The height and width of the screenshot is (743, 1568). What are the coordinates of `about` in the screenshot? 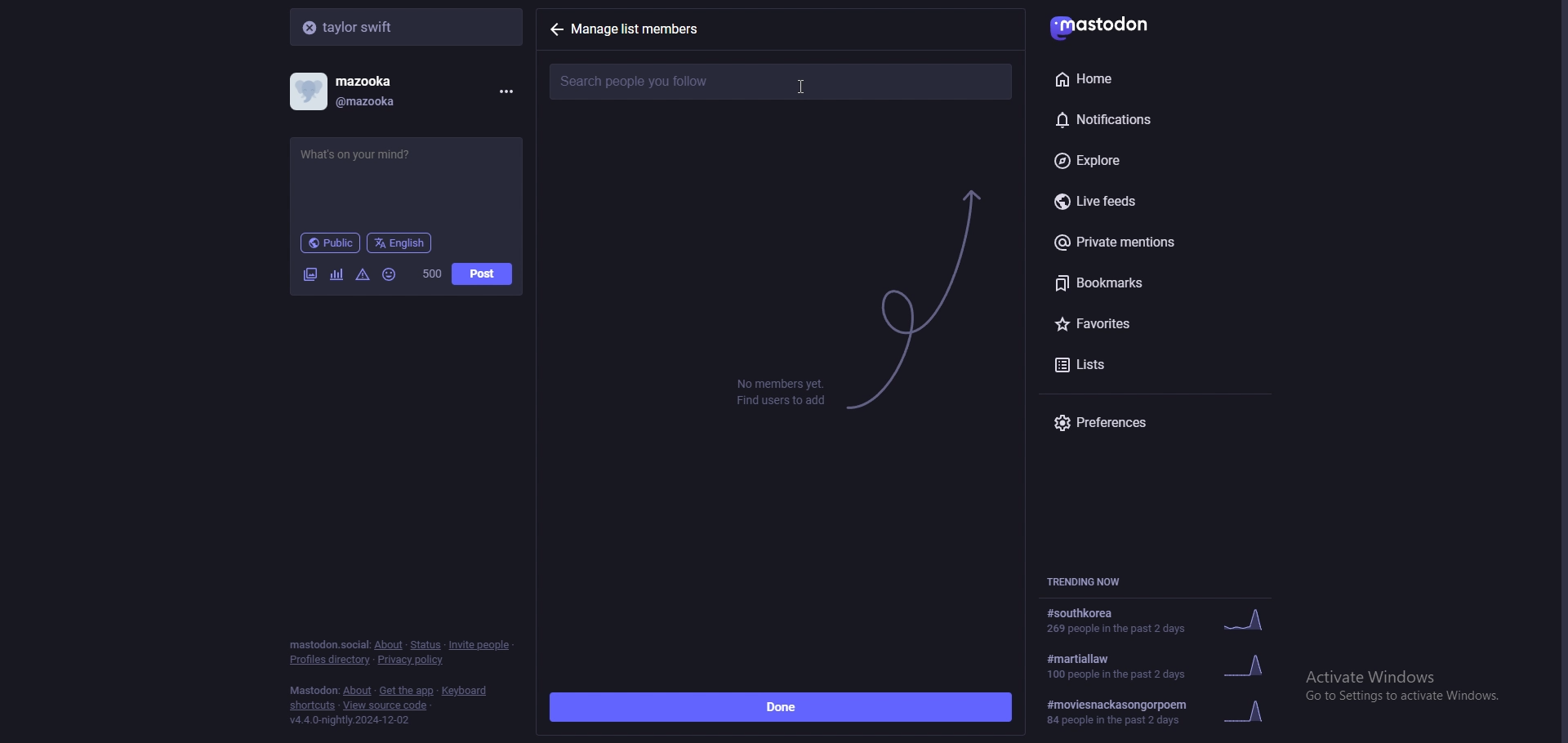 It's located at (388, 645).